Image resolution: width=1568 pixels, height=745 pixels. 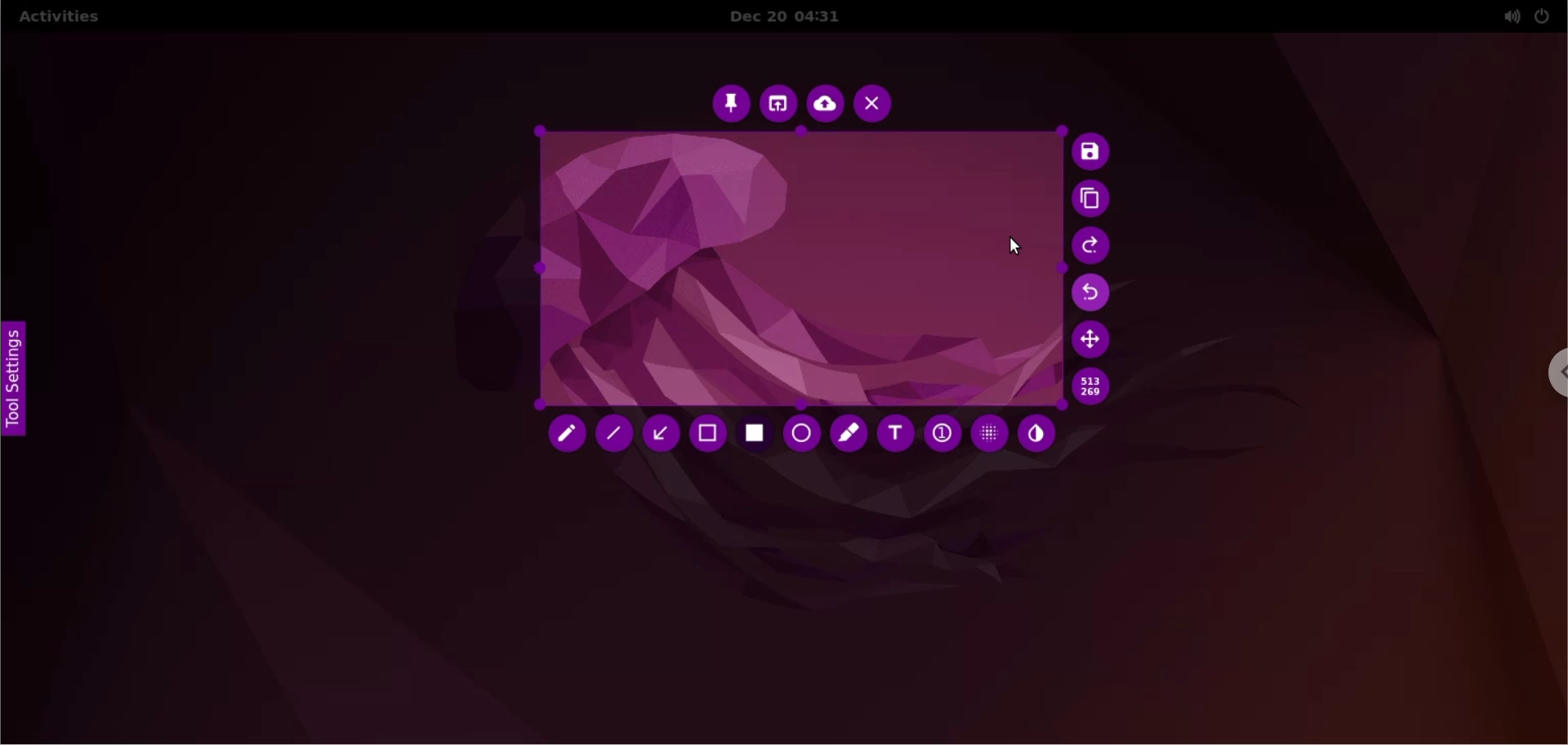 What do you see at coordinates (707, 436) in the screenshot?
I see `selection tool` at bounding box center [707, 436].